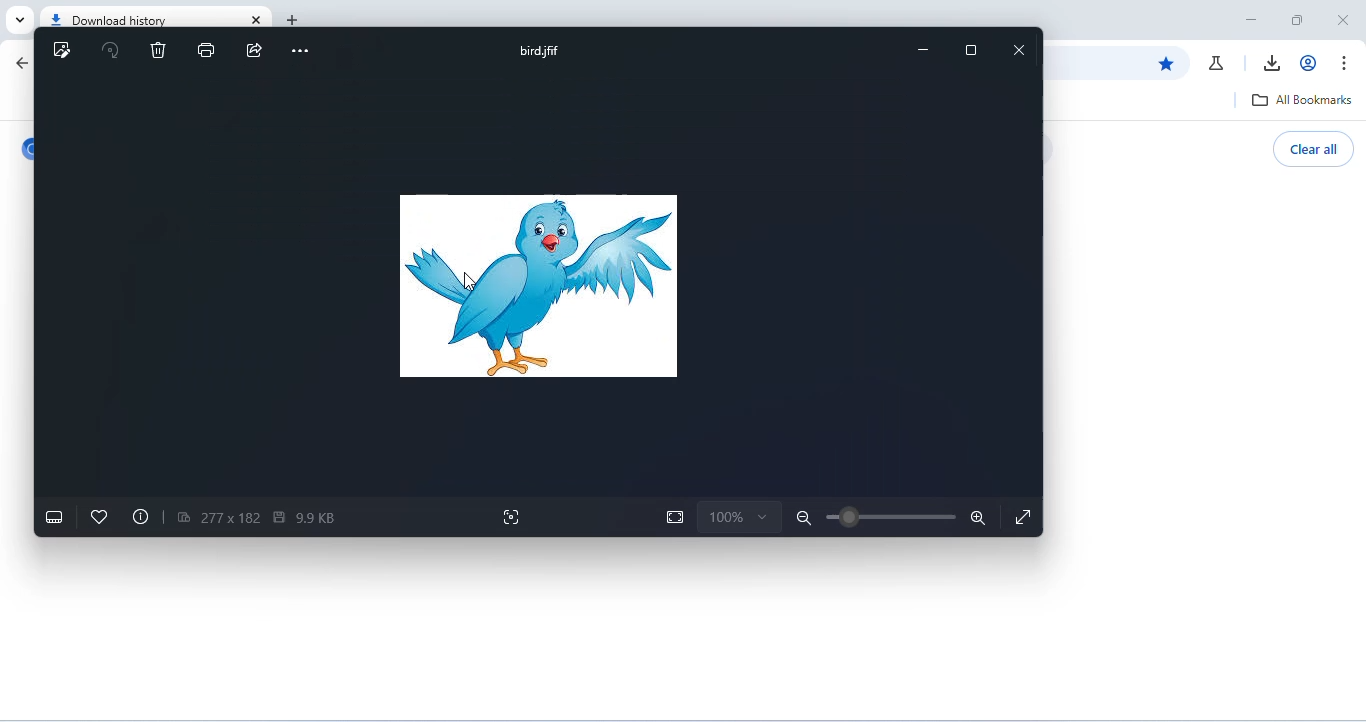 This screenshot has height=722, width=1366. What do you see at coordinates (114, 50) in the screenshot?
I see `rotate` at bounding box center [114, 50].